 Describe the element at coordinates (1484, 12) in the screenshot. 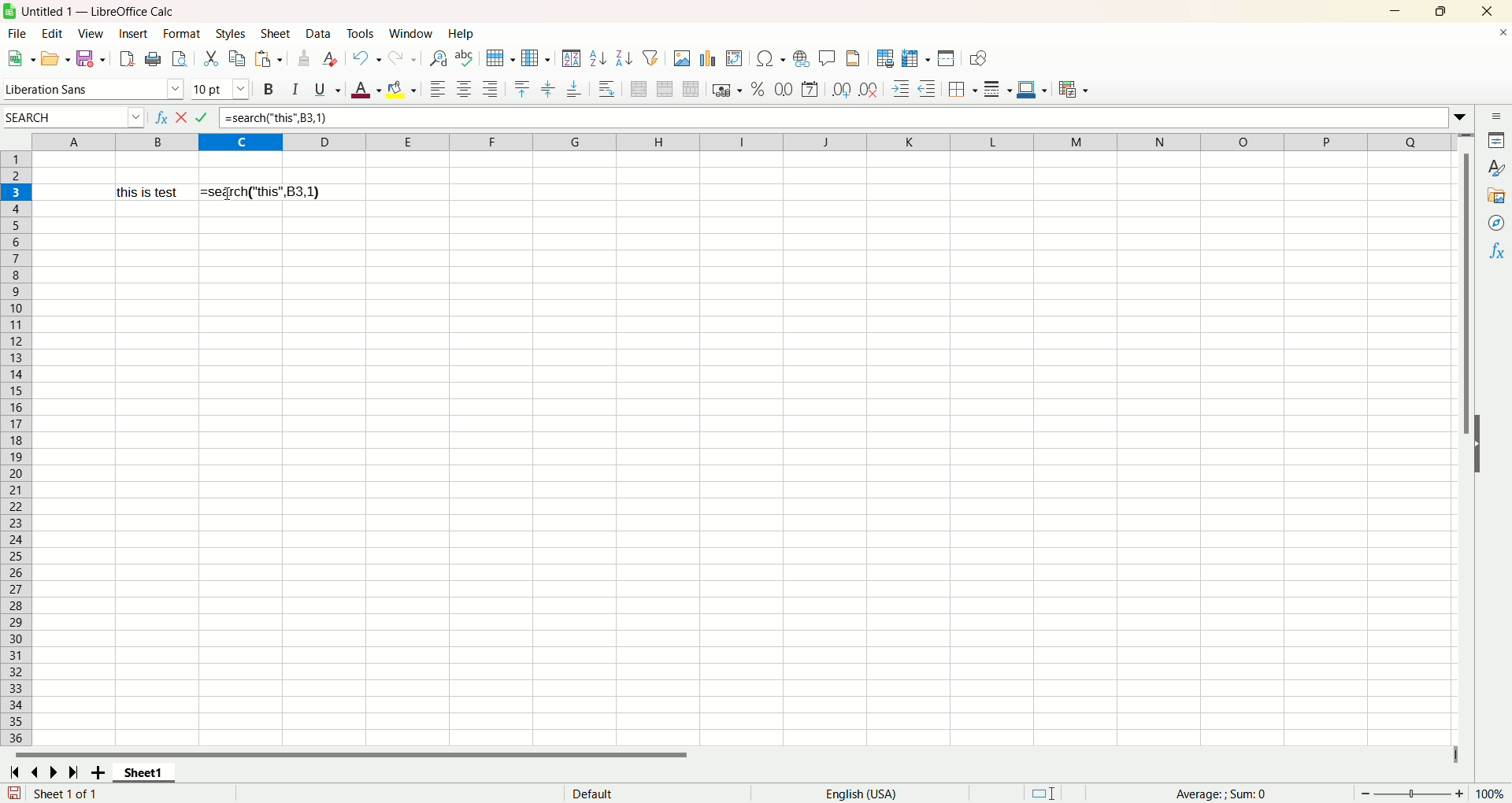

I see `close` at that location.